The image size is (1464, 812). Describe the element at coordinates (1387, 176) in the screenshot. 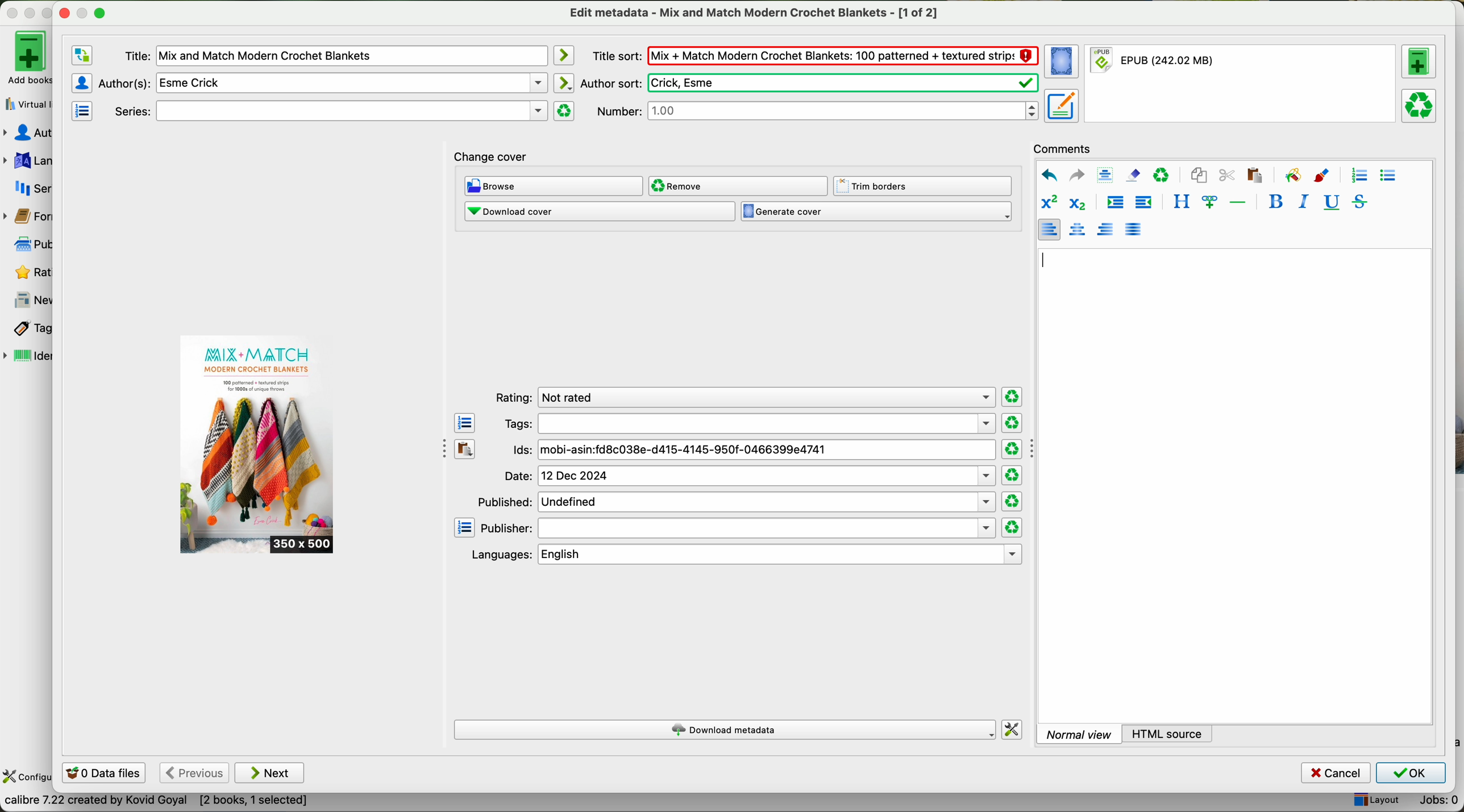

I see `unordered list` at that location.